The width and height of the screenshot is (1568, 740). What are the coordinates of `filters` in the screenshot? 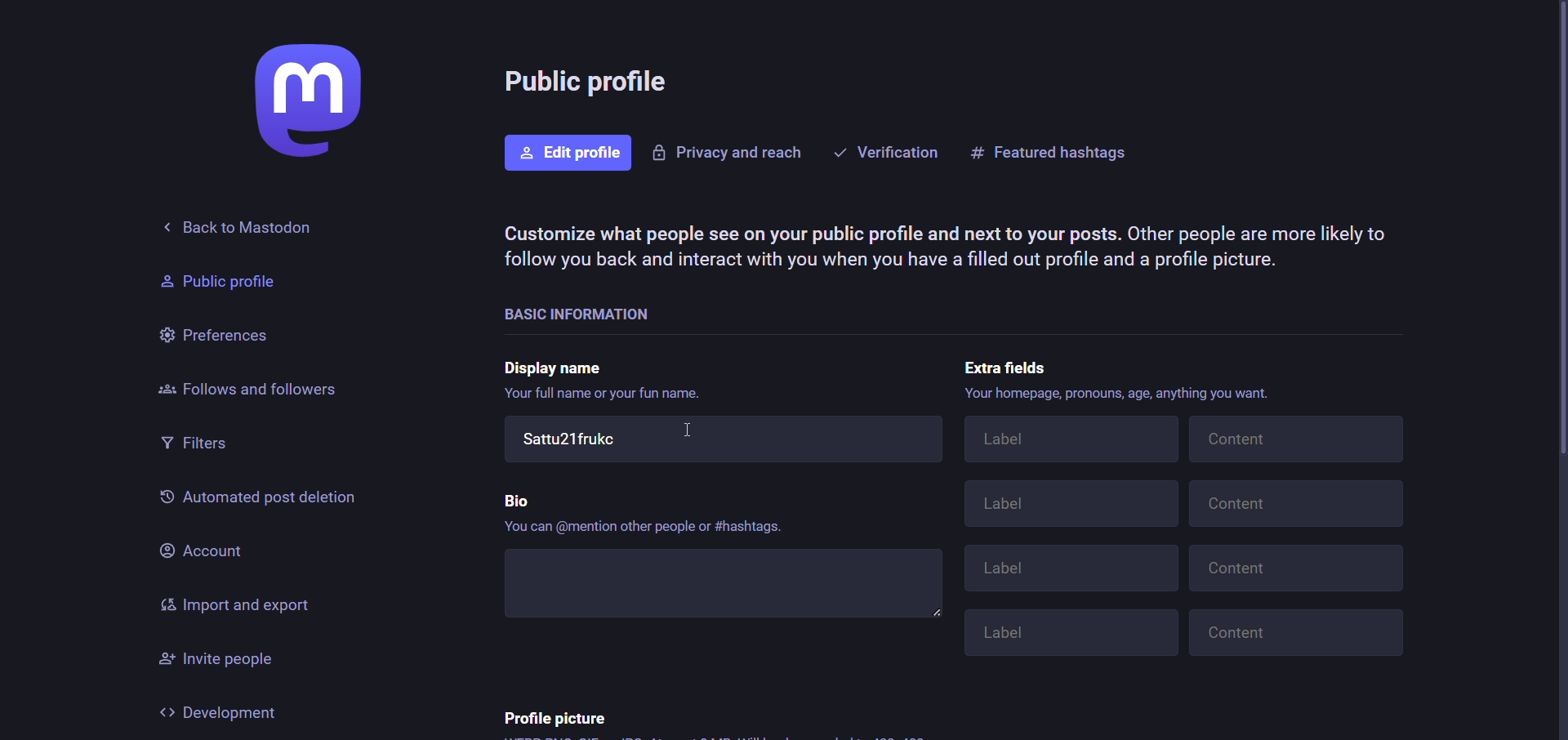 It's located at (199, 445).